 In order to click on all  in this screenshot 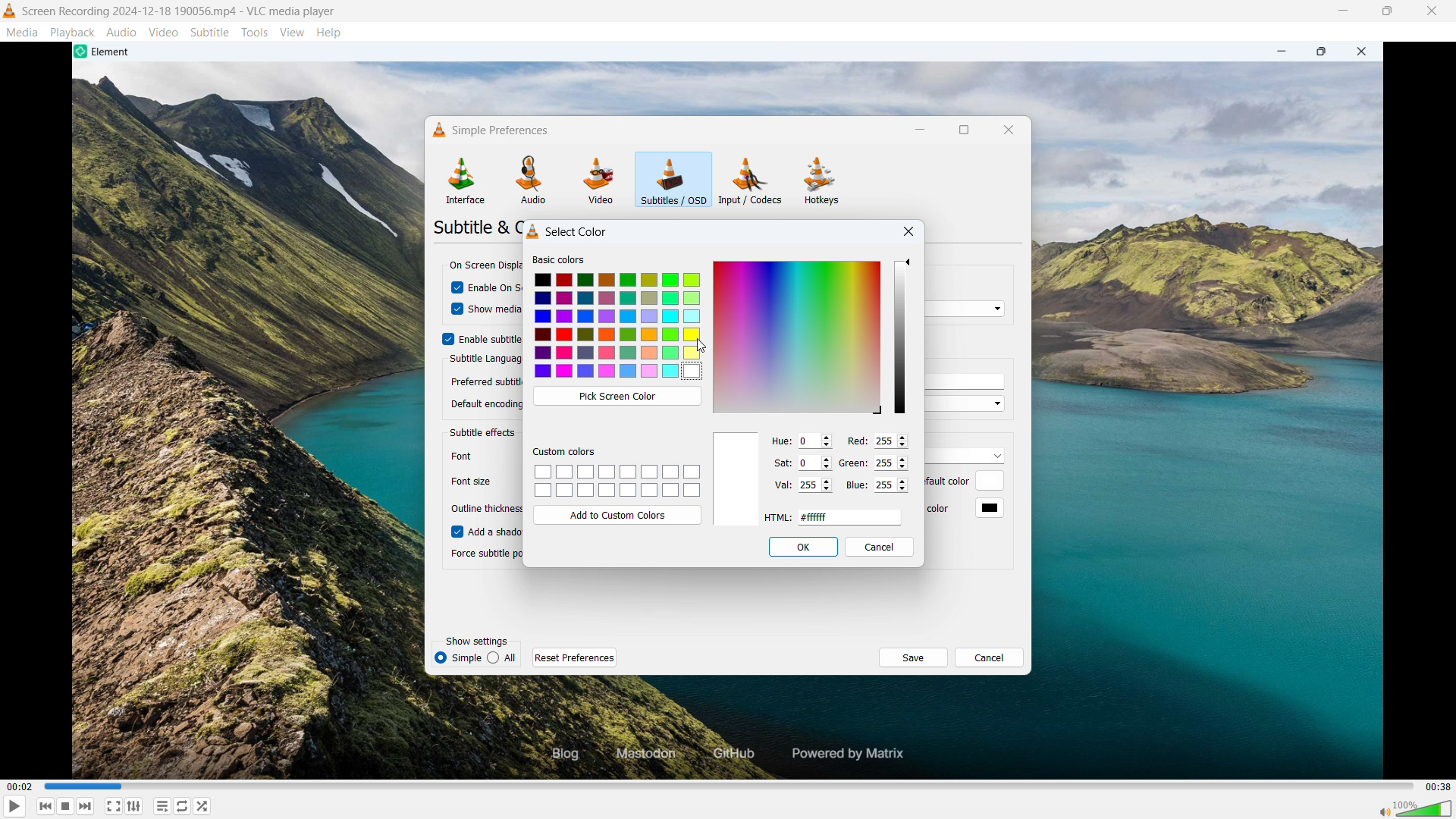, I will do `click(503, 657)`.